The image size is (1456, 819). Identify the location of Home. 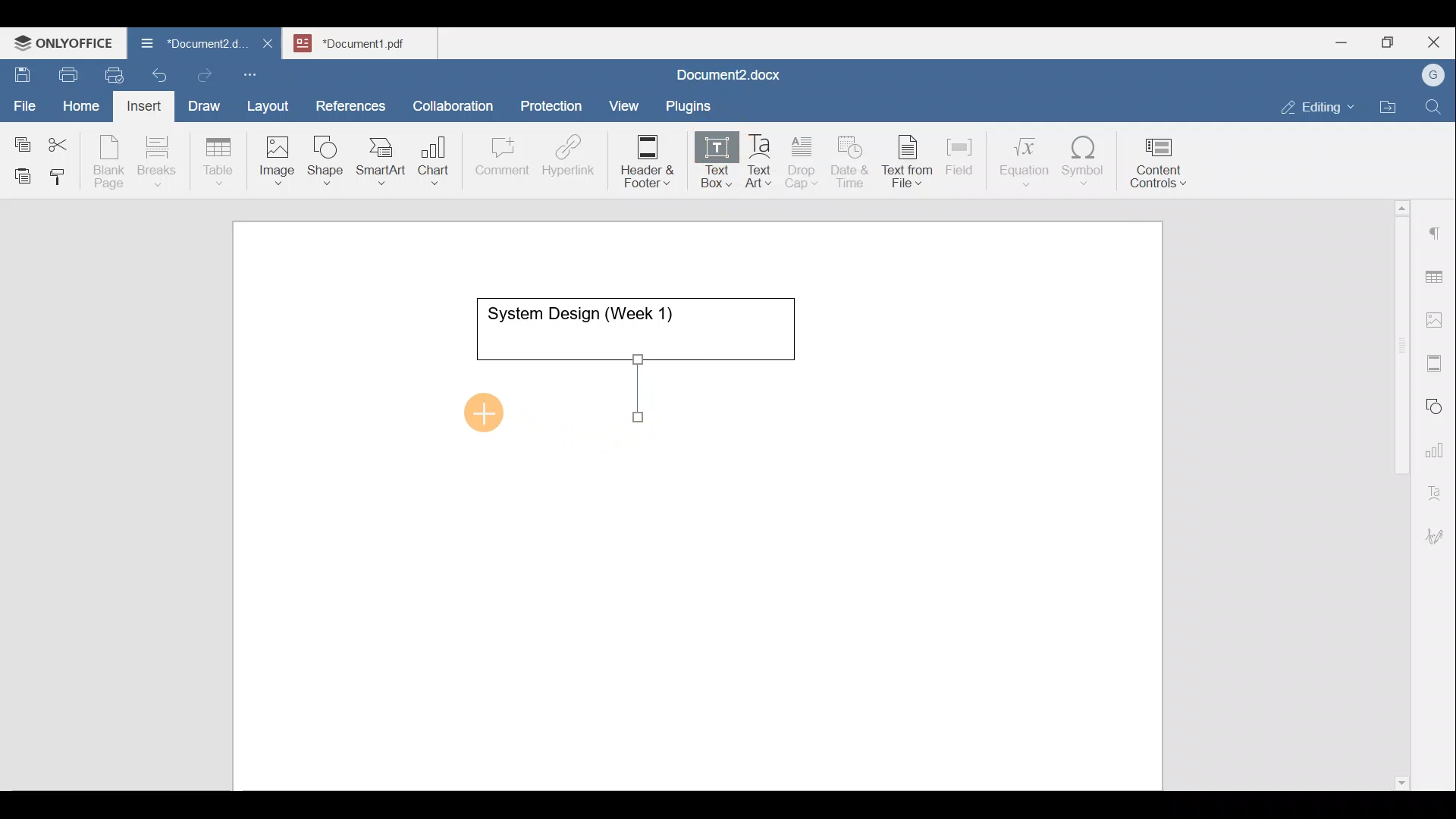
(82, 105).